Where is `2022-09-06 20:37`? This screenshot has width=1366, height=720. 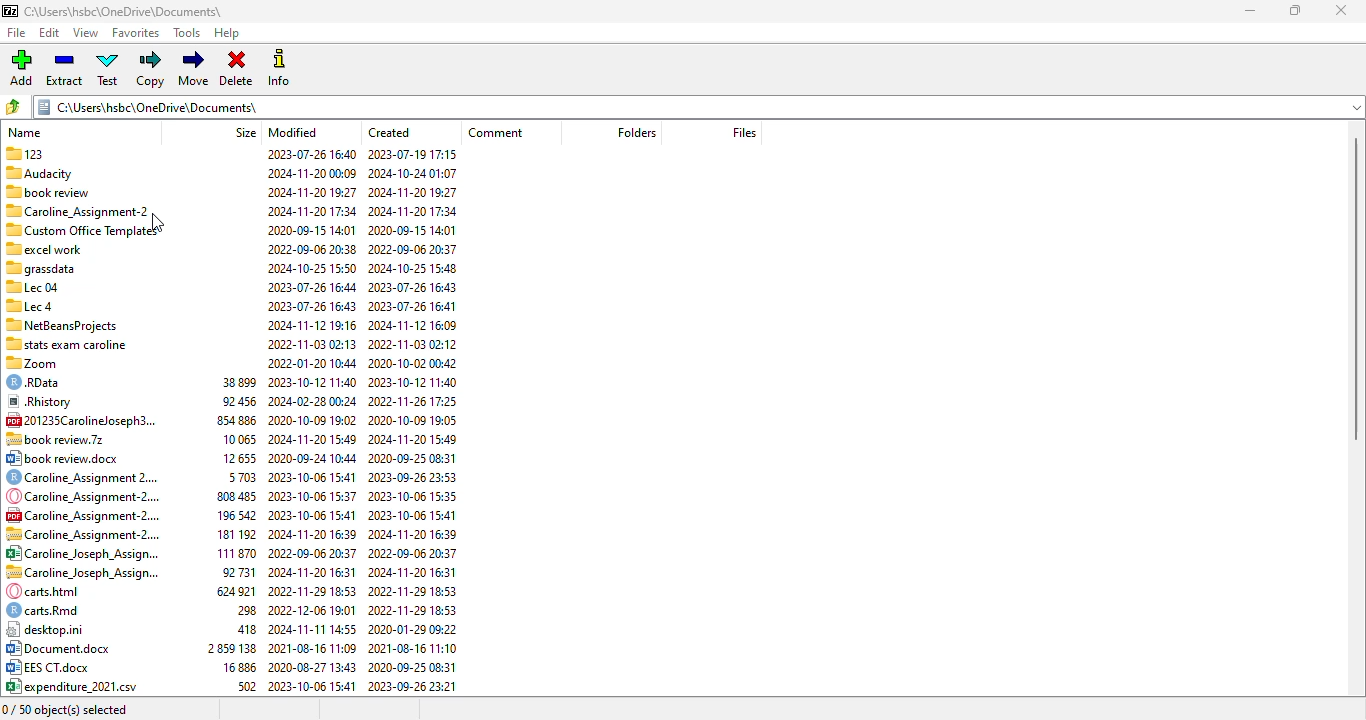 2022-09-06 20:37 is located at coordinates (310, 553).